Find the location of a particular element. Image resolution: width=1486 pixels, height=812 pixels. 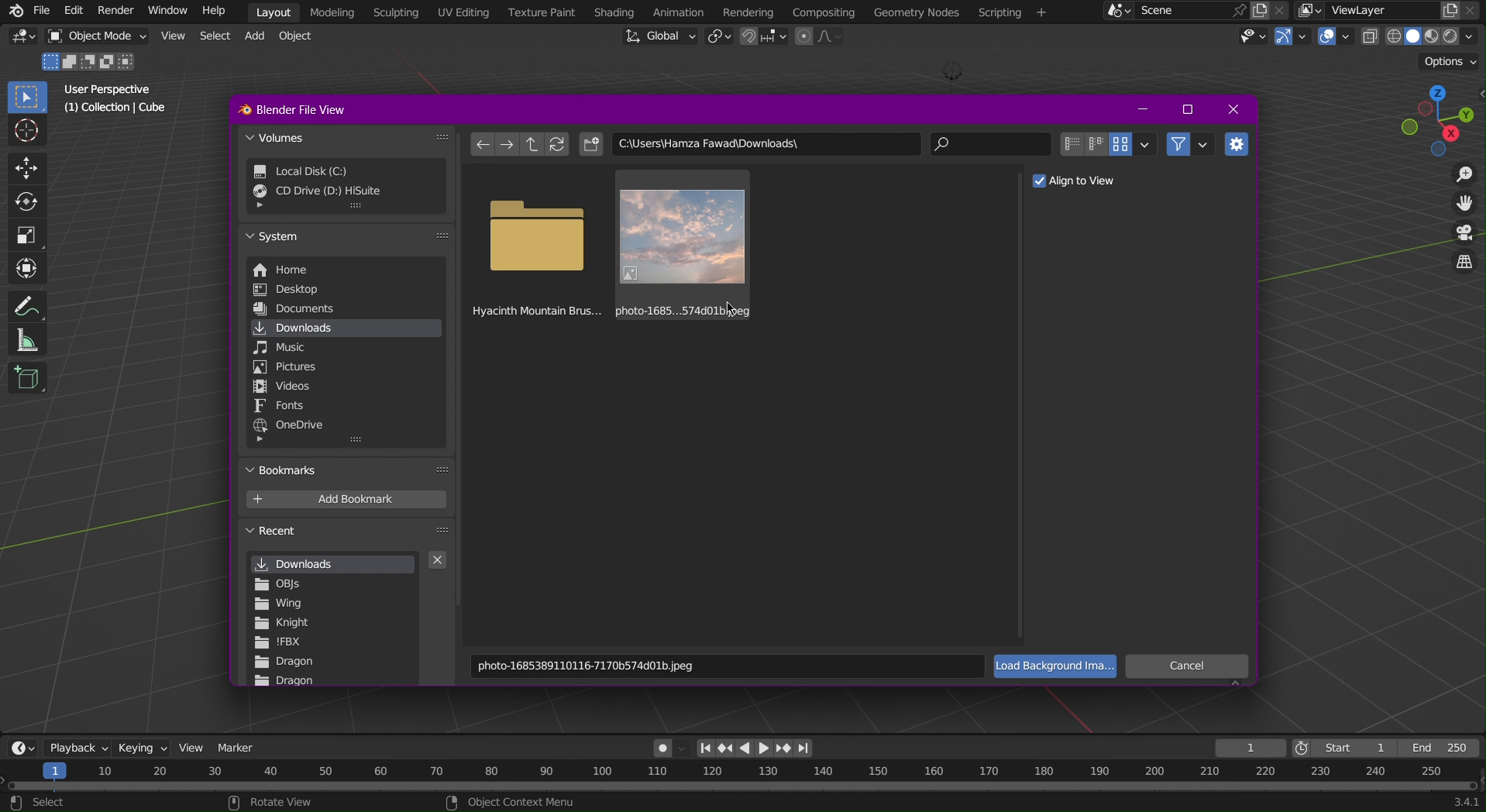

Show Overlays is located at coordinates (1334, 39).